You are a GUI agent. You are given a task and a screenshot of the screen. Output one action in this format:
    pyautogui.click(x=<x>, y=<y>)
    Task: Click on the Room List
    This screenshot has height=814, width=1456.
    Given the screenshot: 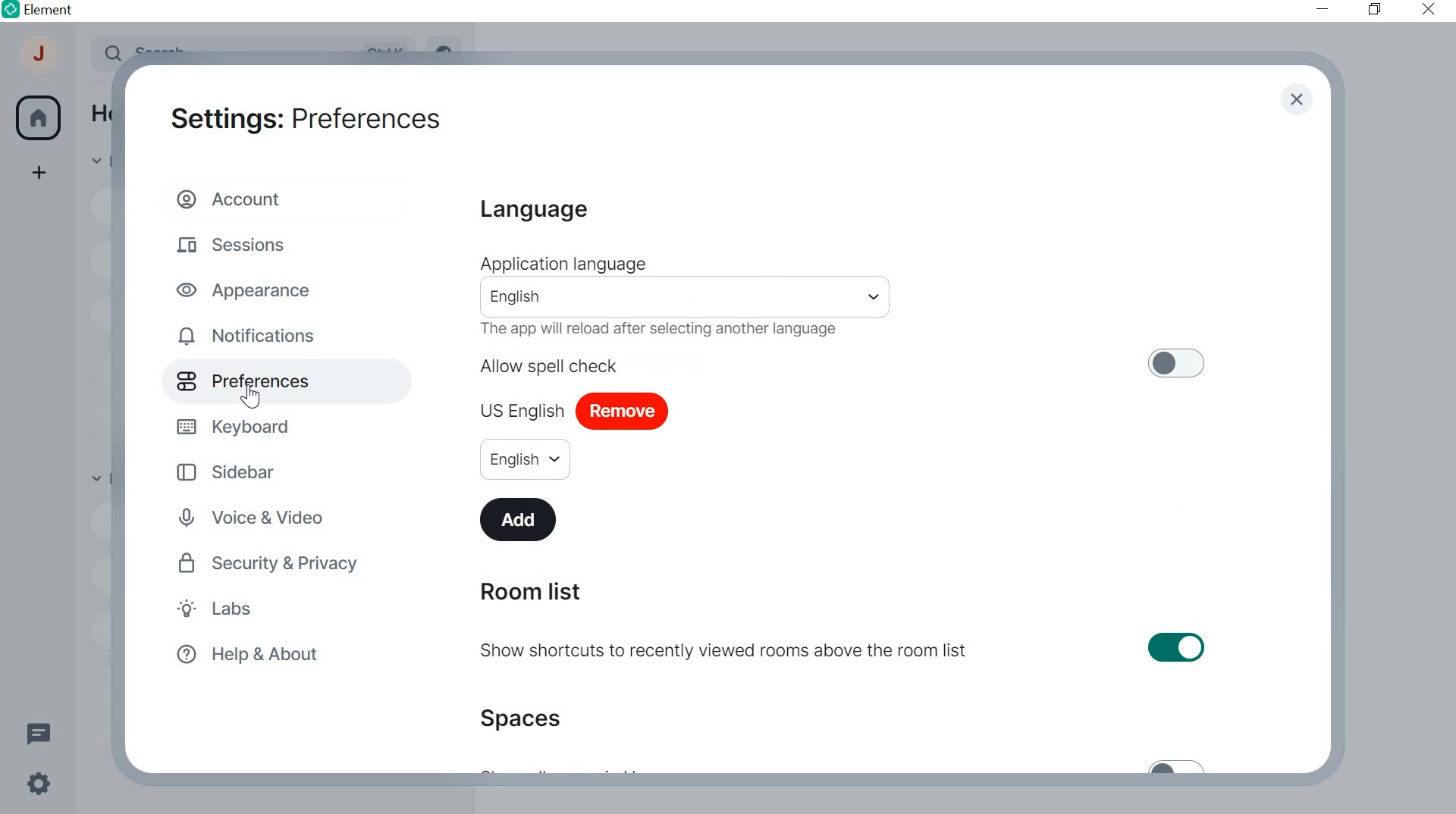 What is the action you would take?
    pyautogui.click(x=529, y=592)
    